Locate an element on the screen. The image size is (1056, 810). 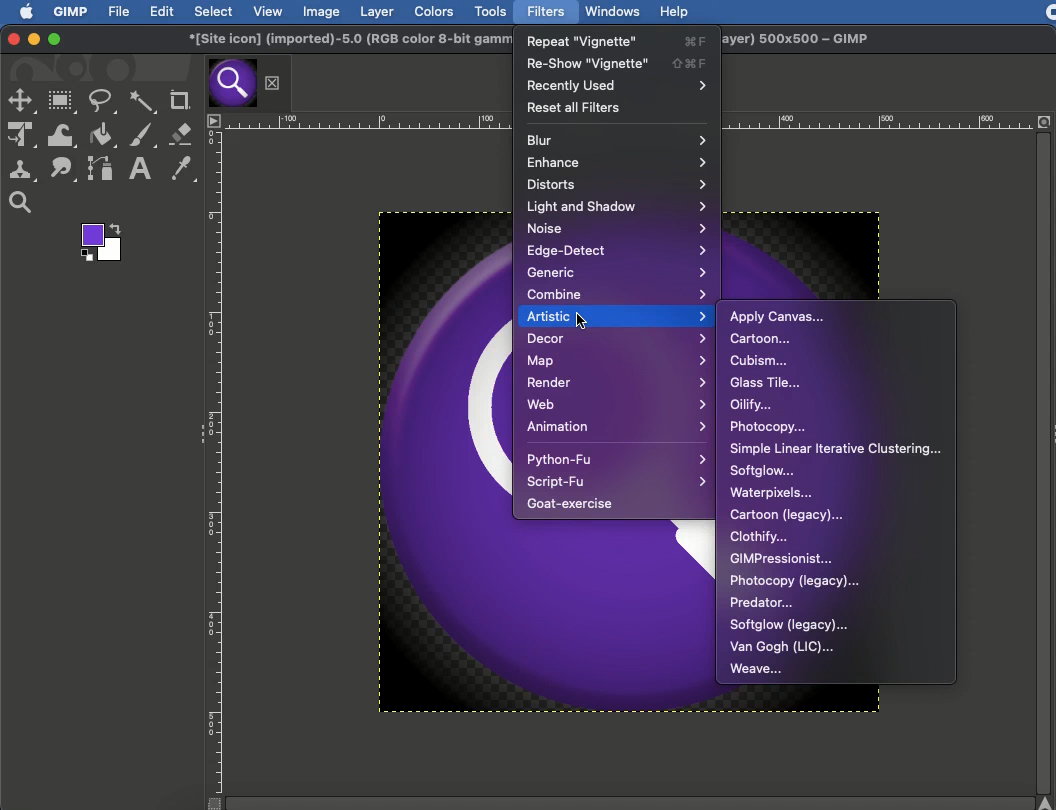
Eraser is located at coordinates (180, 133).